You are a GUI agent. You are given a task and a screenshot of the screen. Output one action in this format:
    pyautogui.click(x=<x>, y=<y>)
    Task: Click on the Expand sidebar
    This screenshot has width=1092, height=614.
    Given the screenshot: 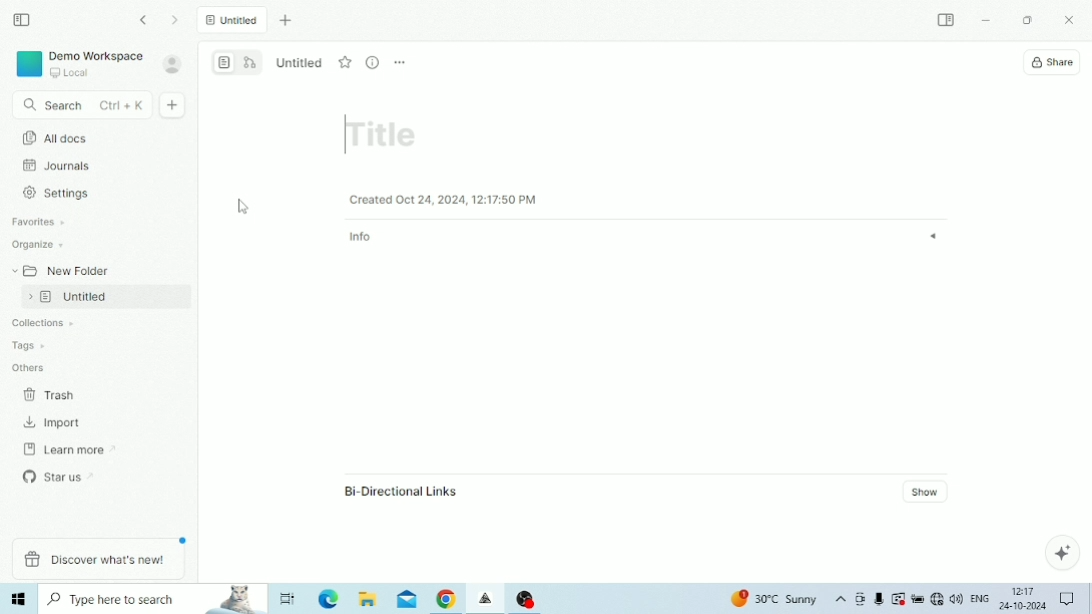 What is the action you would take?
    pyautogui.click(x=947, y=19)
    